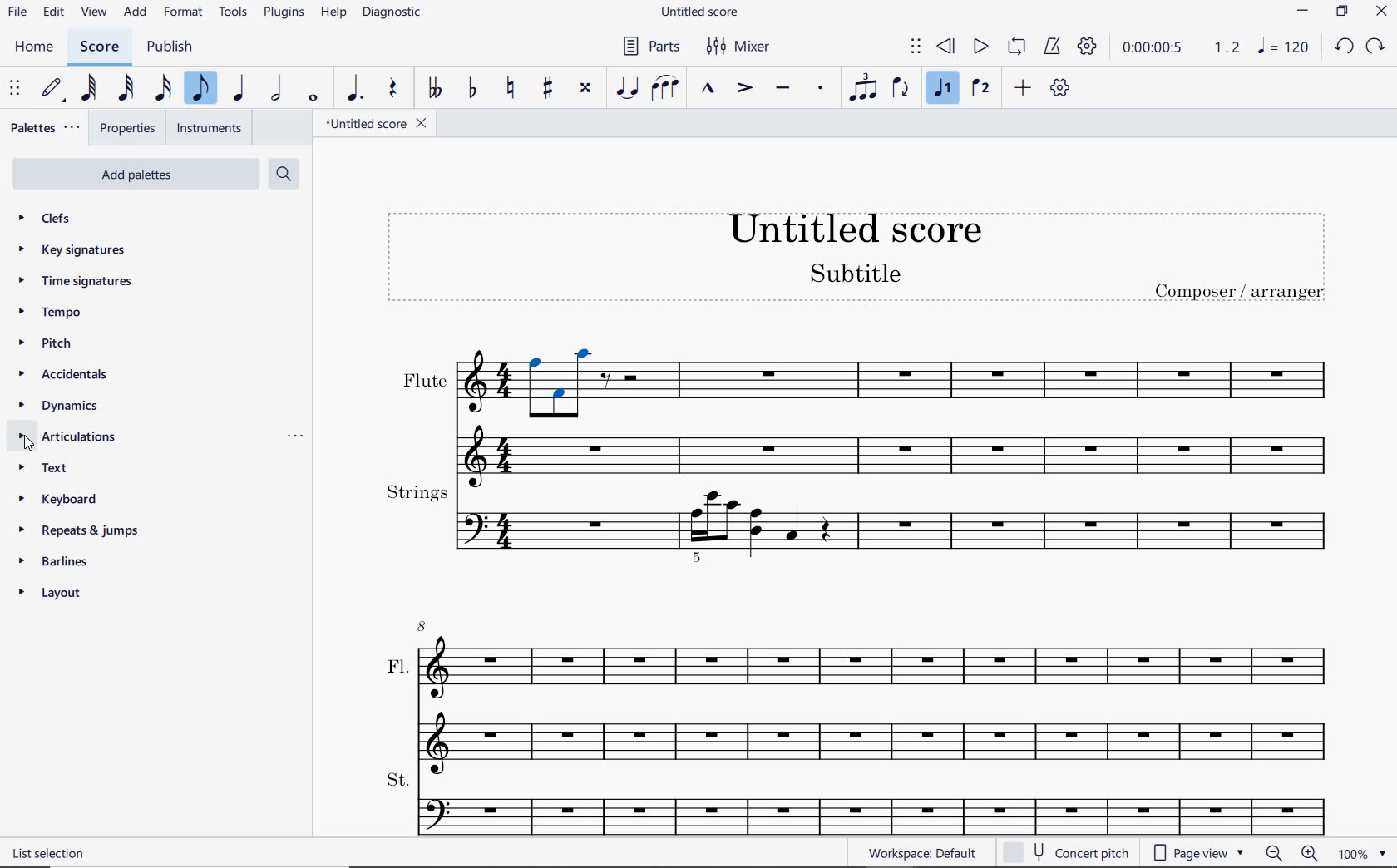 This screenshot has width=1397, height=868. I want to click on MIXER, so click(736, 47).